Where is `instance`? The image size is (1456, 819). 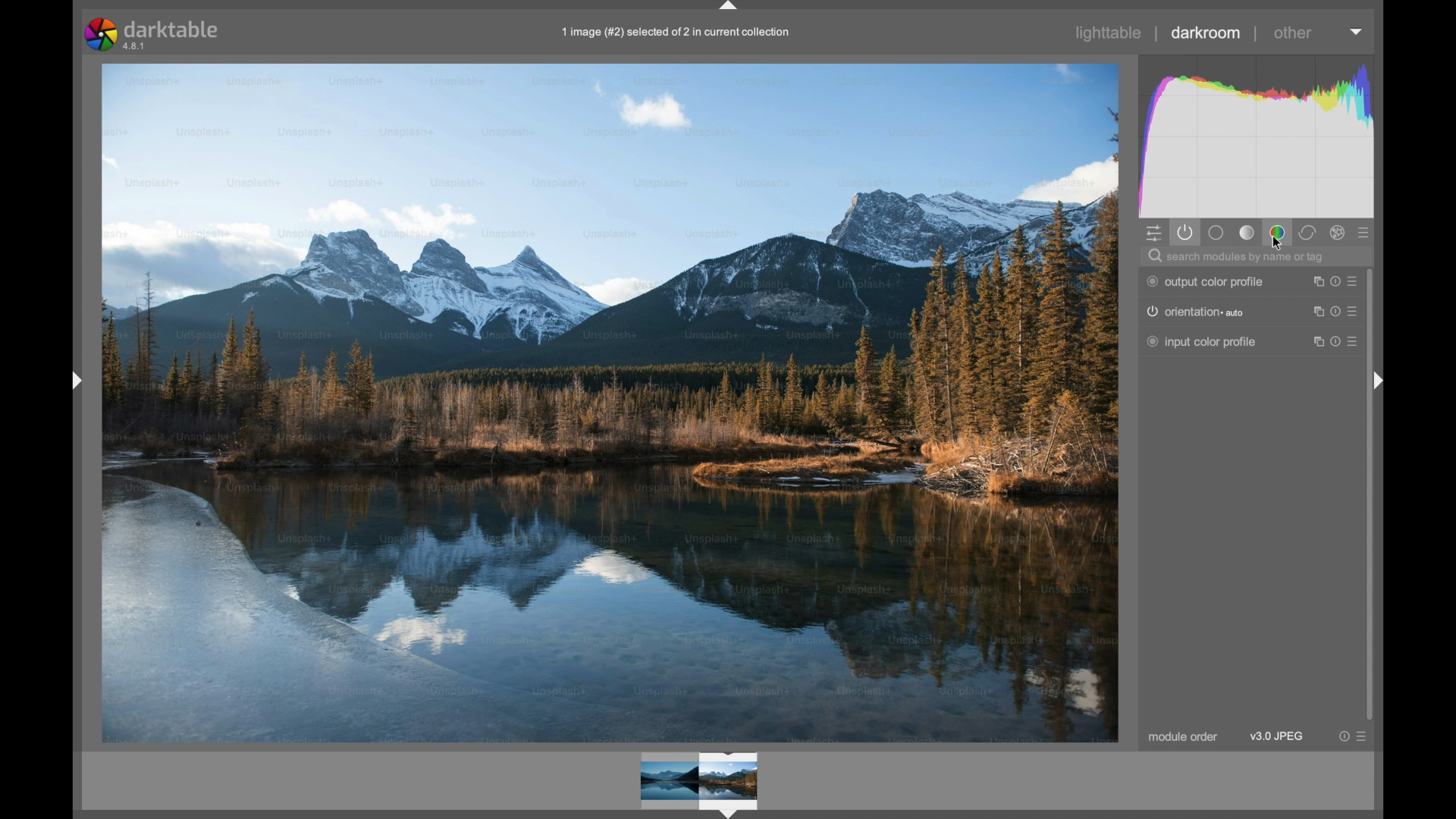 instance is located at coordinates (1316, 282).